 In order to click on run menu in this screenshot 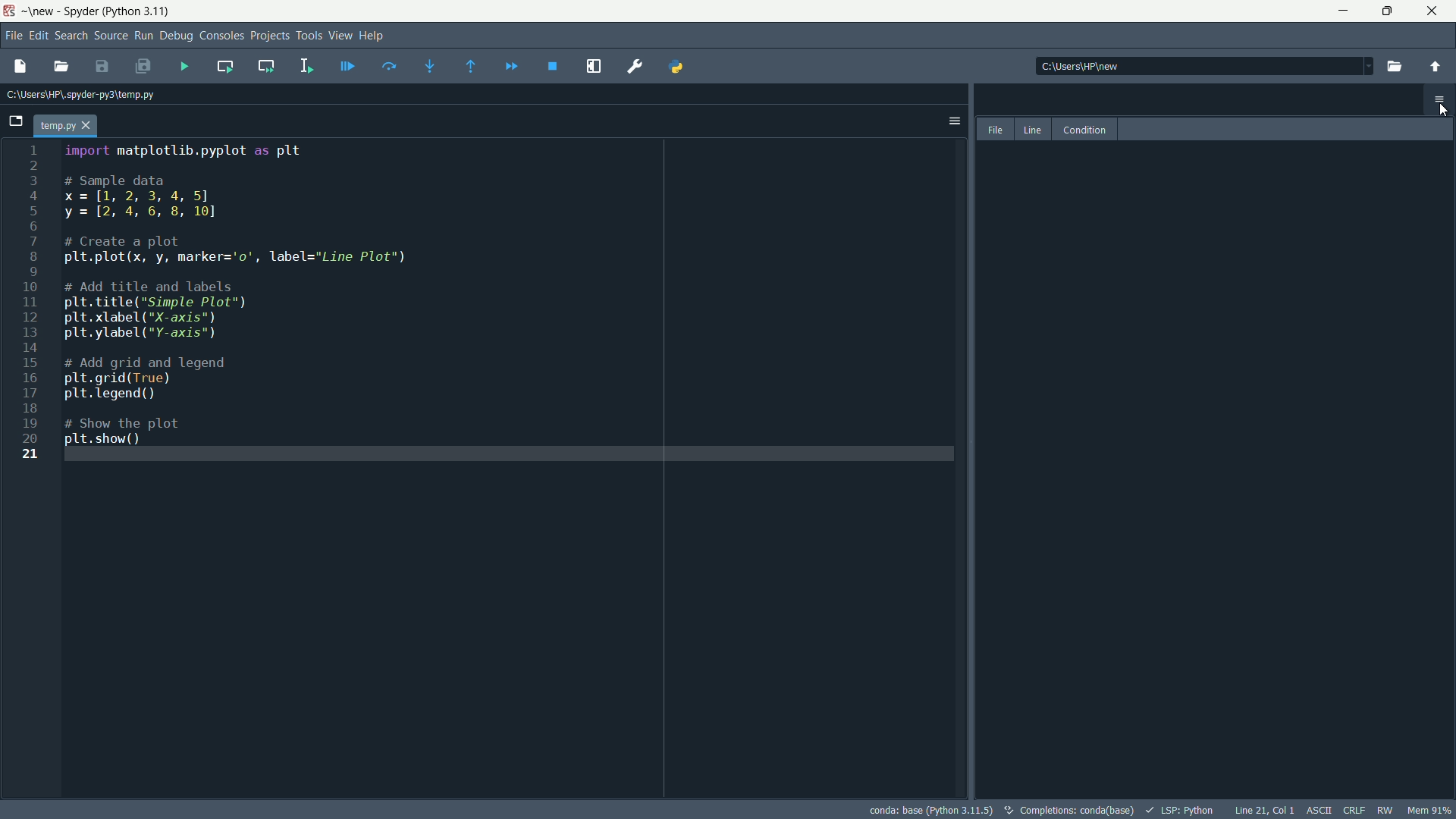, I will do `click(142, 36)`.